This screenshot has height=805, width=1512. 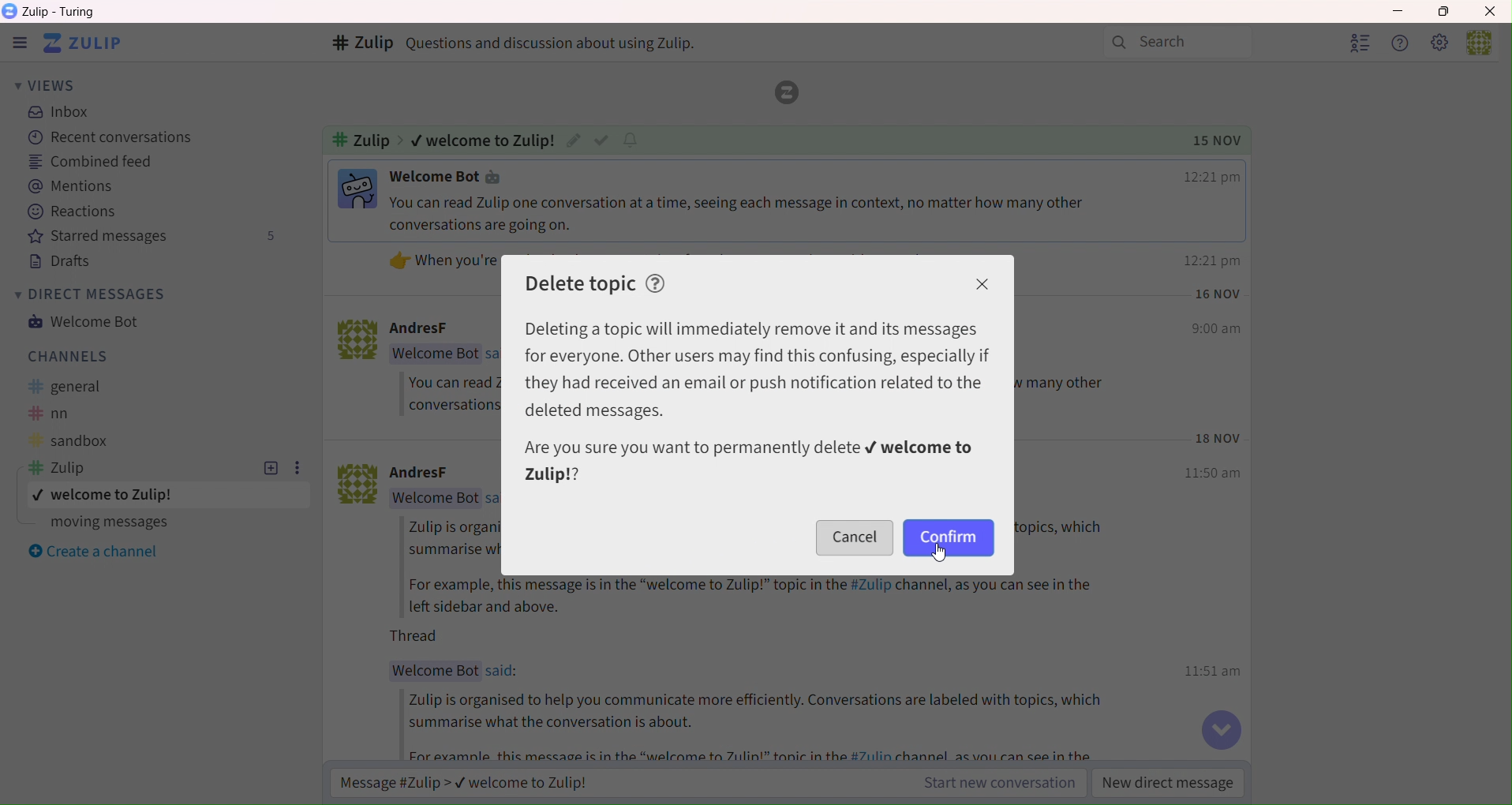 What do you see at coordinates (1001, 783) in the screenshot?
I see `Start new conversation` at bounding box center [1001, 783].